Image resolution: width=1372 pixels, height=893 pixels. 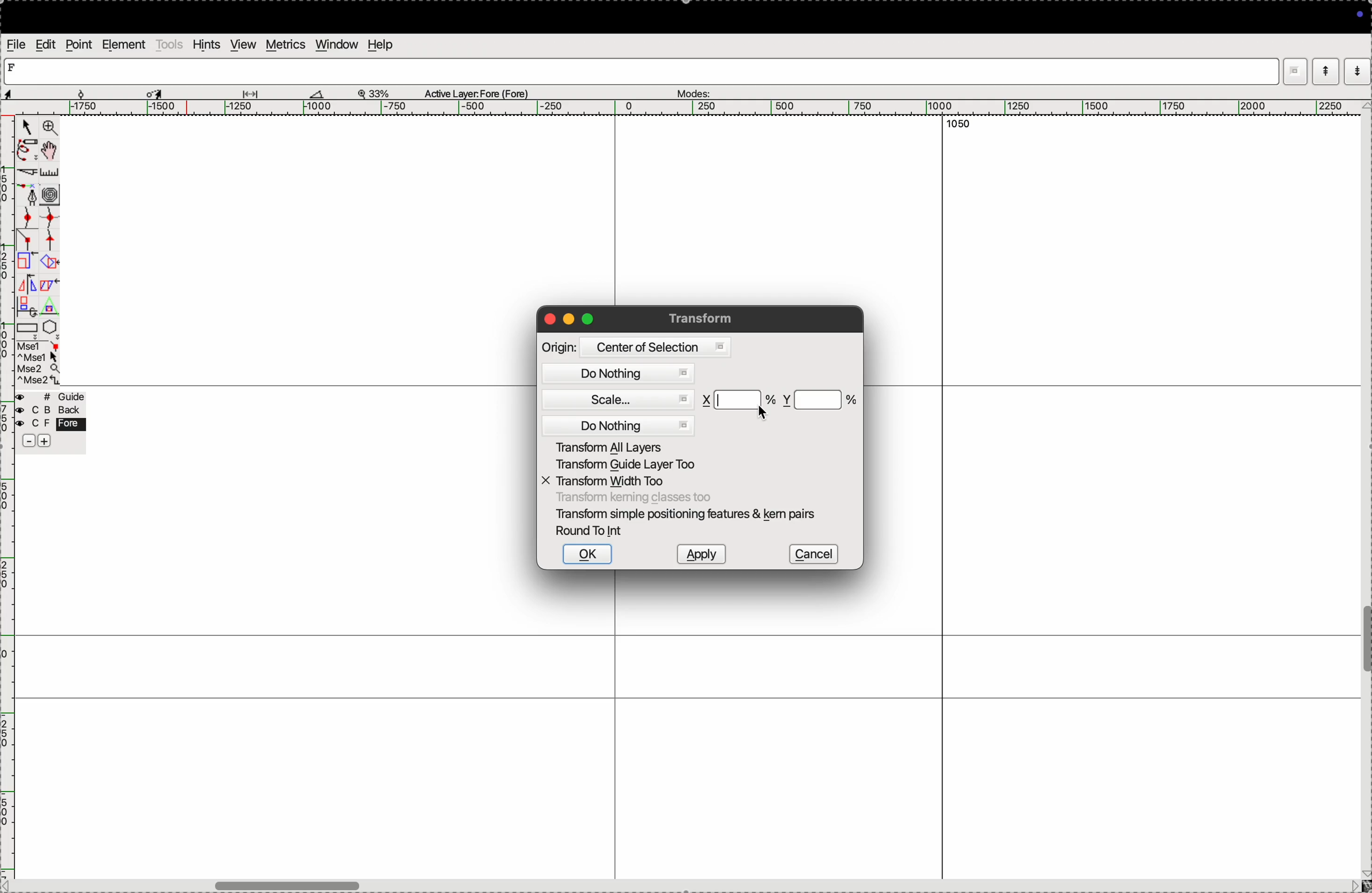 I want to click on curves, so click(x=51, y=196).